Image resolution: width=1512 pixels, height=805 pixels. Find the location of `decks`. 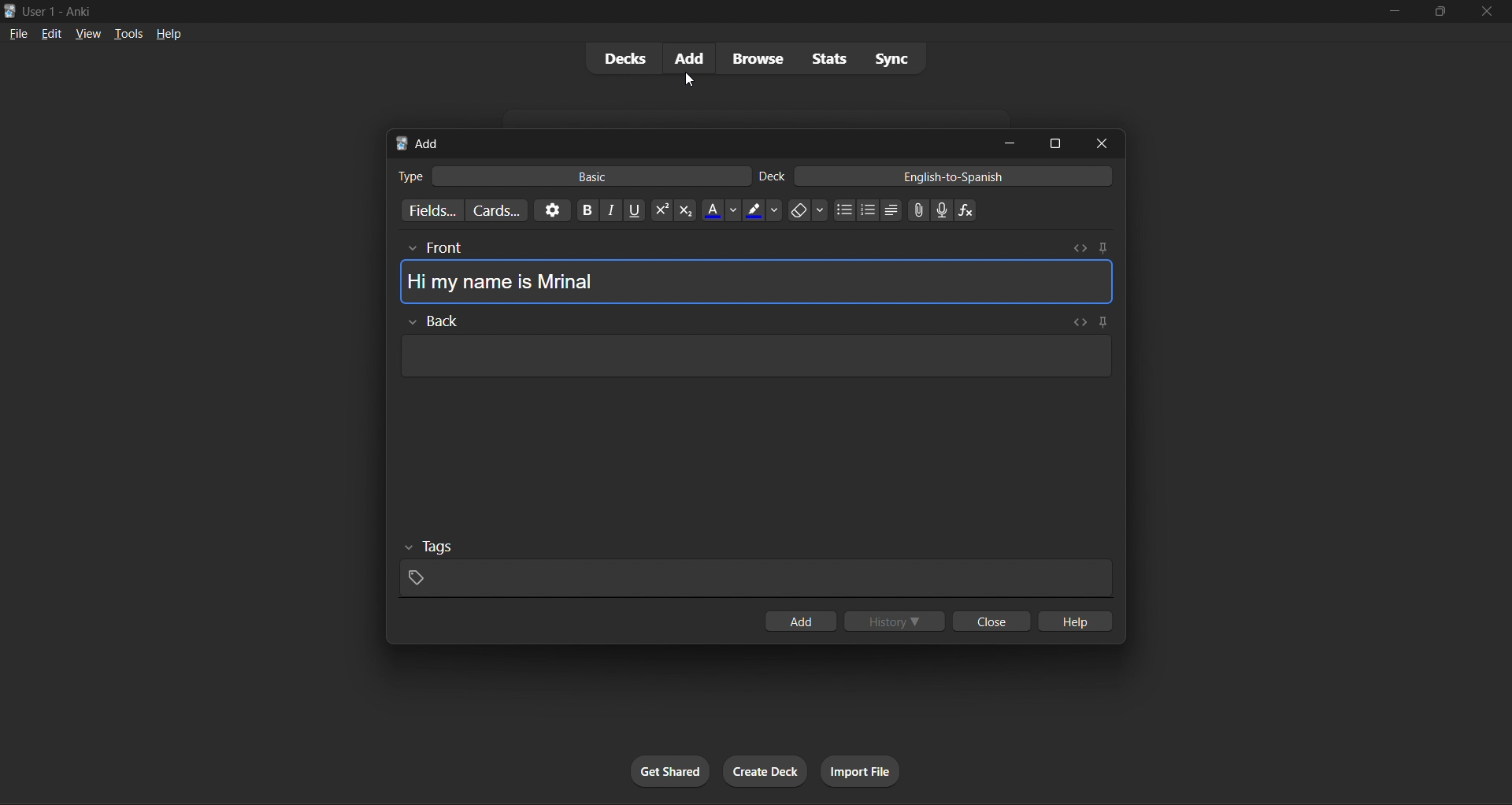

decks is located at coordinates (623, 58).